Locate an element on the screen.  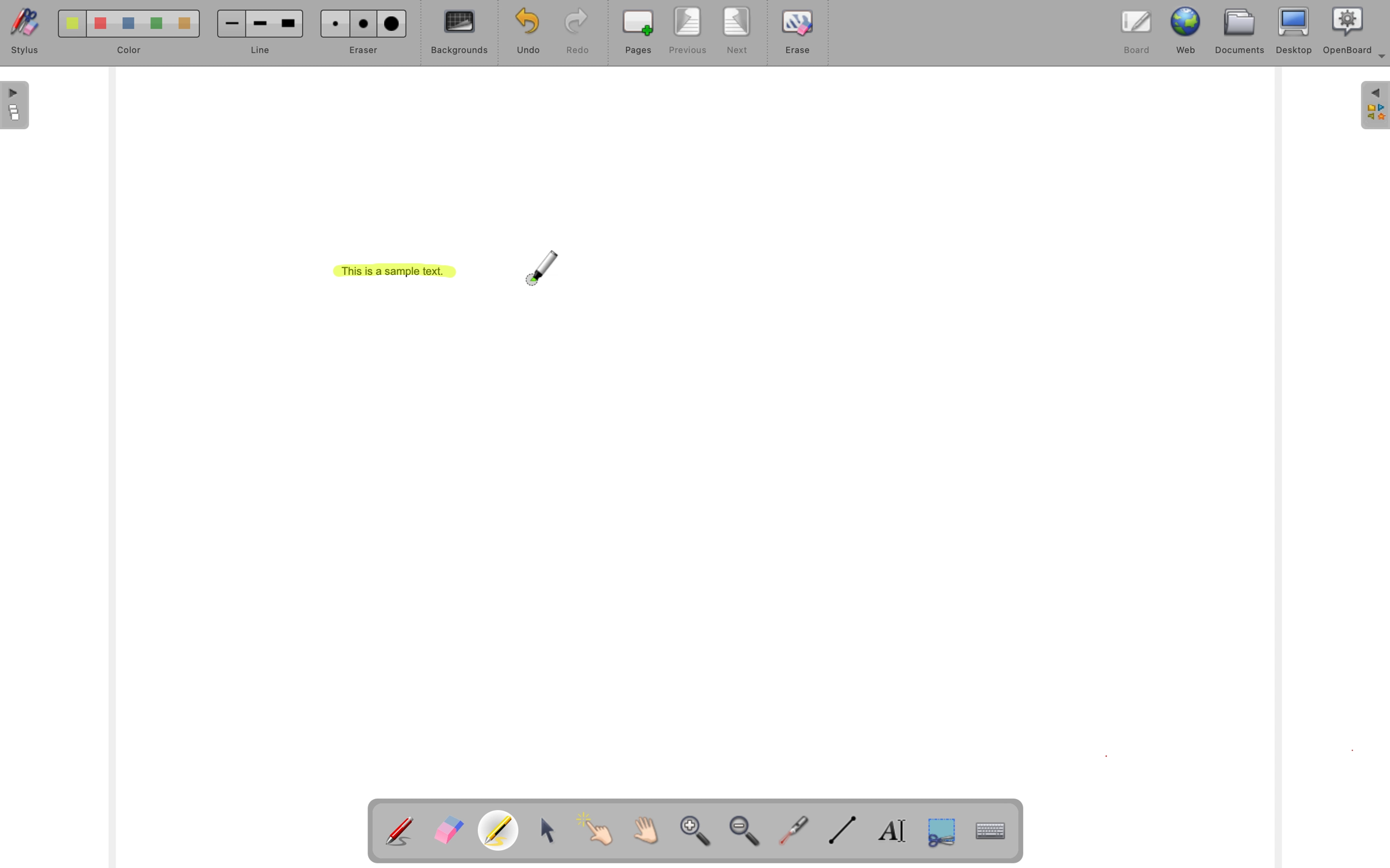
select and modify objects is located at coordinates (554, 828).